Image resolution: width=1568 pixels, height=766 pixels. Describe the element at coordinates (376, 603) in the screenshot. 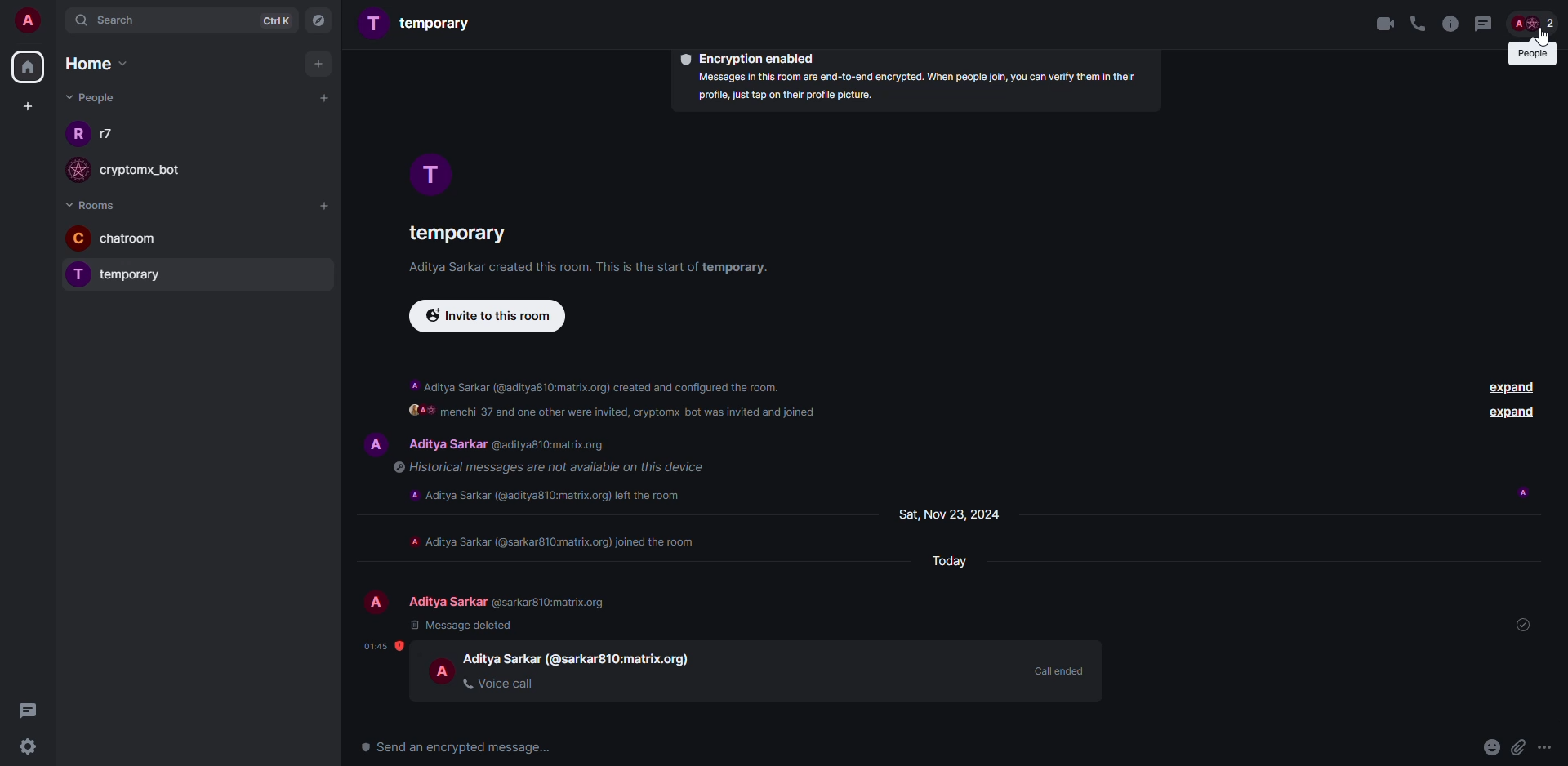

I see `profile` at that location.